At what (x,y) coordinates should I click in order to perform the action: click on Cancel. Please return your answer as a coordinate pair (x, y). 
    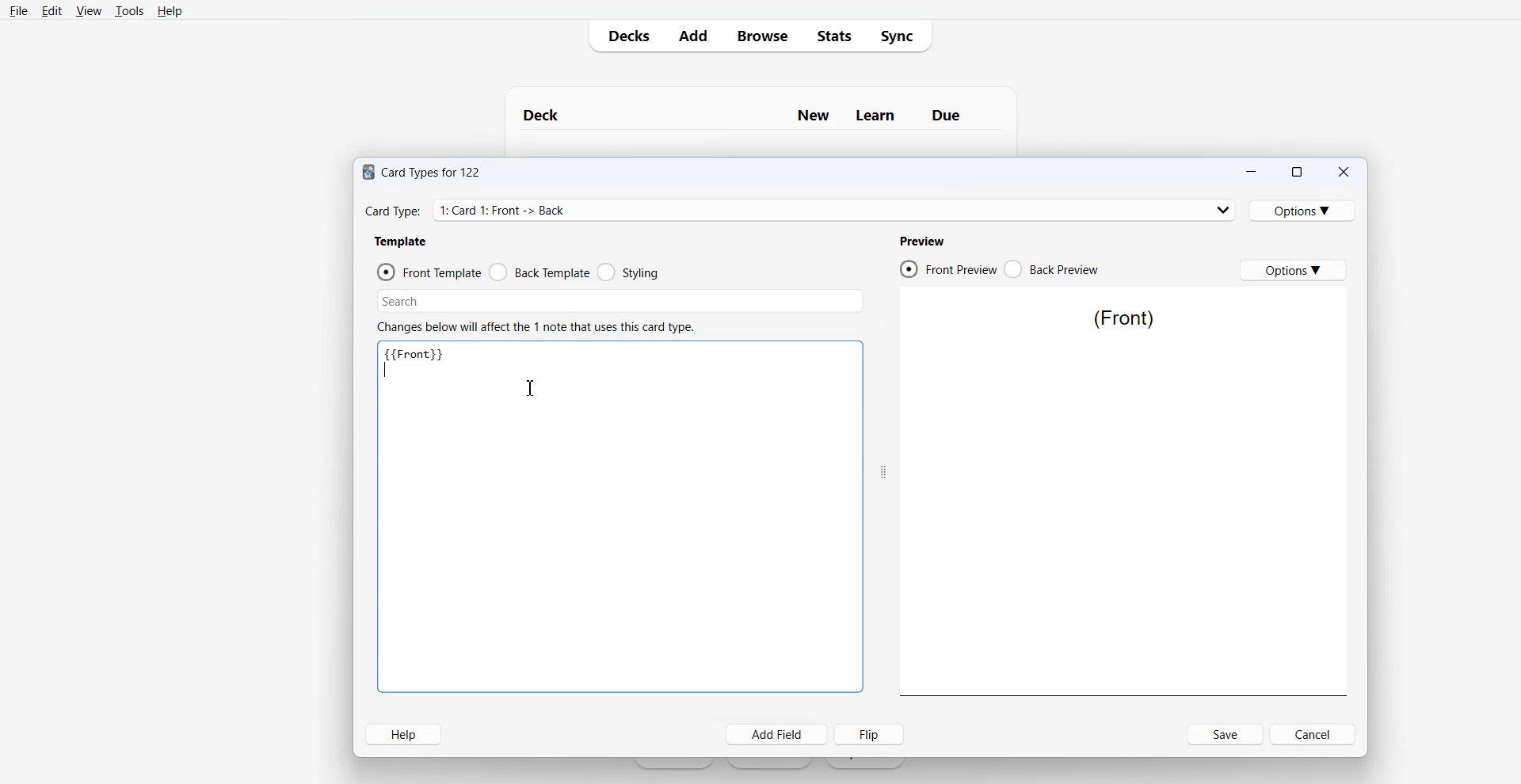
    Looking at the image, I should click on (1313, 734).